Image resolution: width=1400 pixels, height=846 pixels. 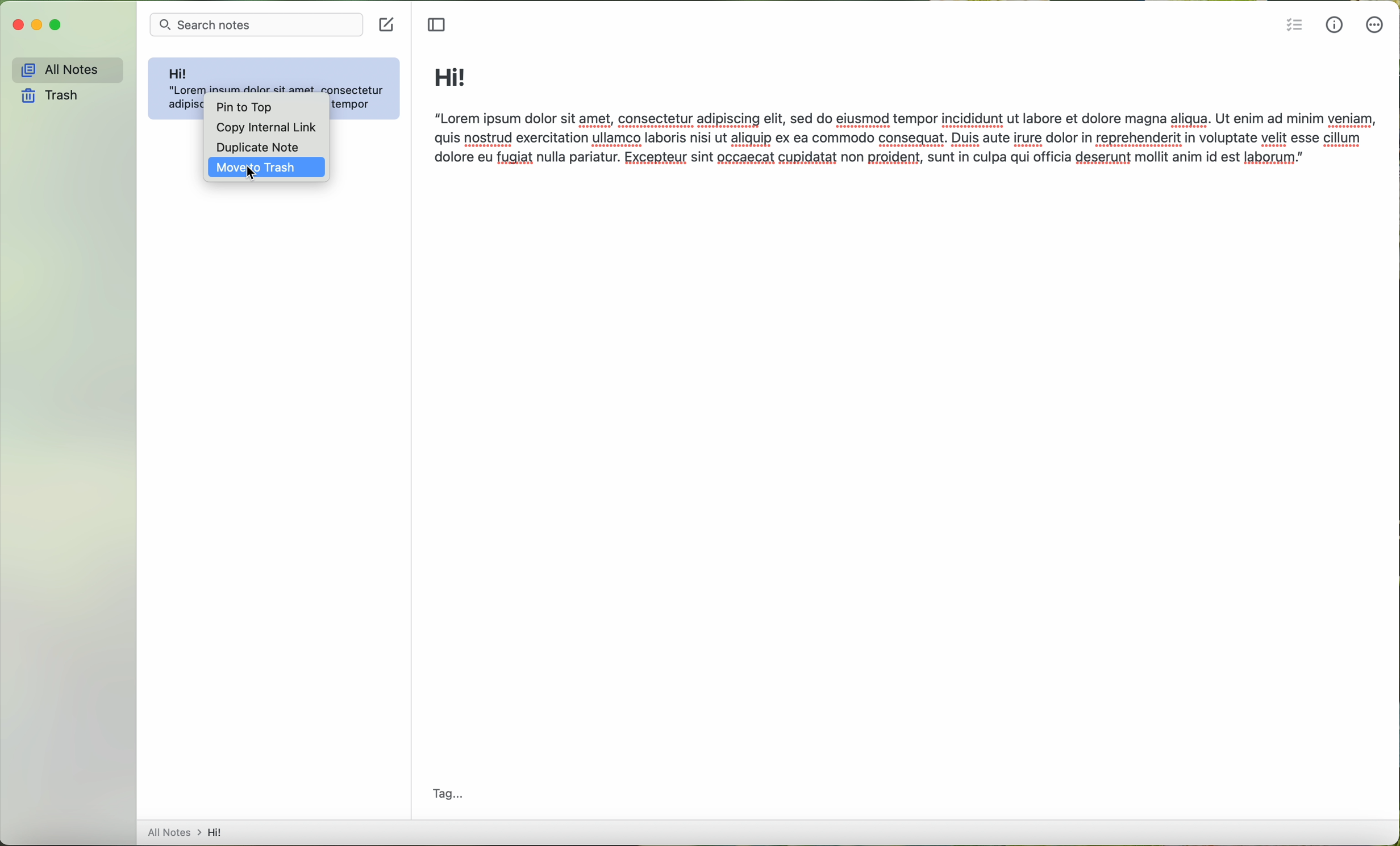 I want to click on trash, so click(x=52, y=97).